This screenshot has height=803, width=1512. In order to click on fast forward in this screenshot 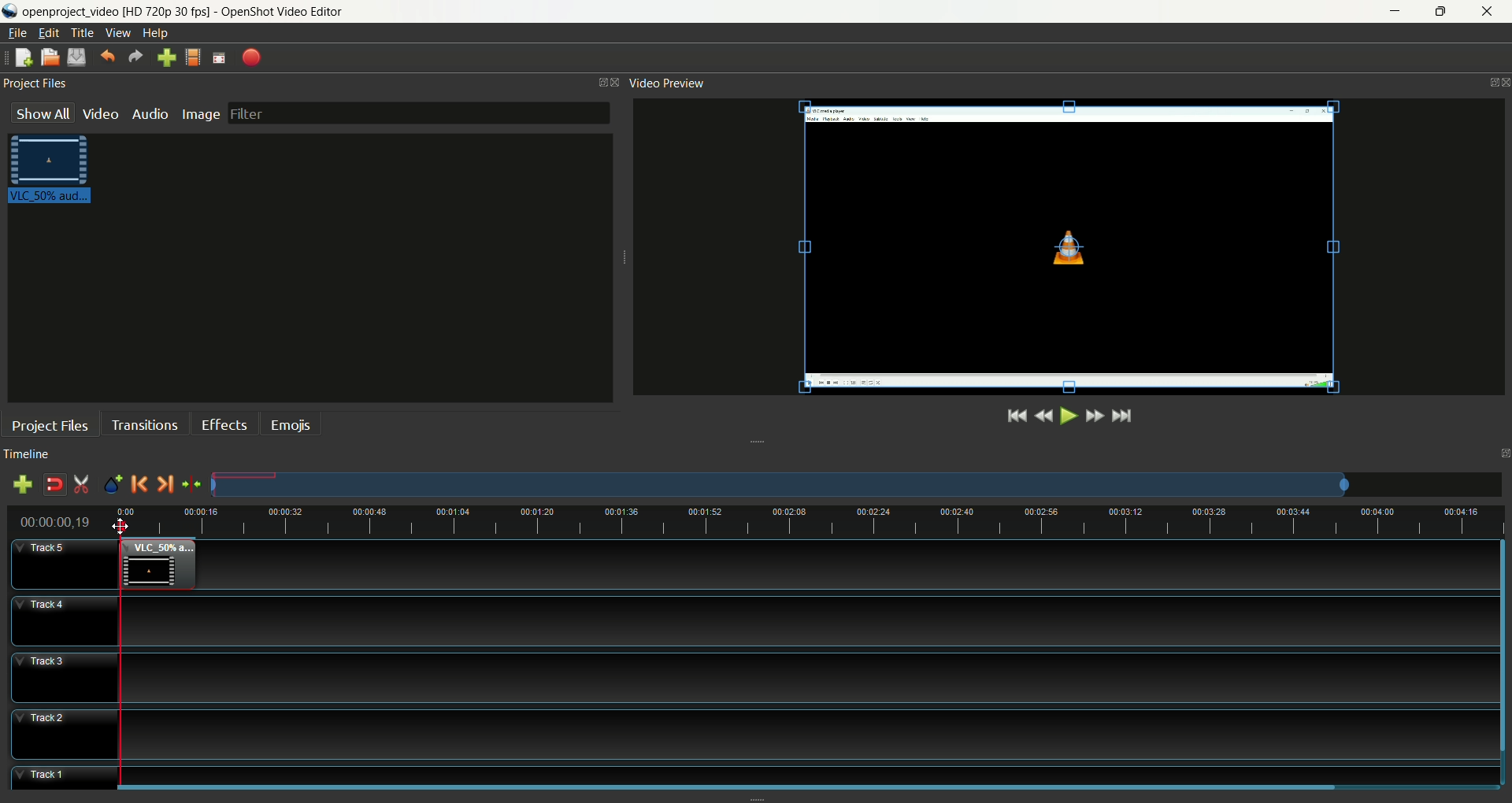, I will do `click(1094, 416)`.